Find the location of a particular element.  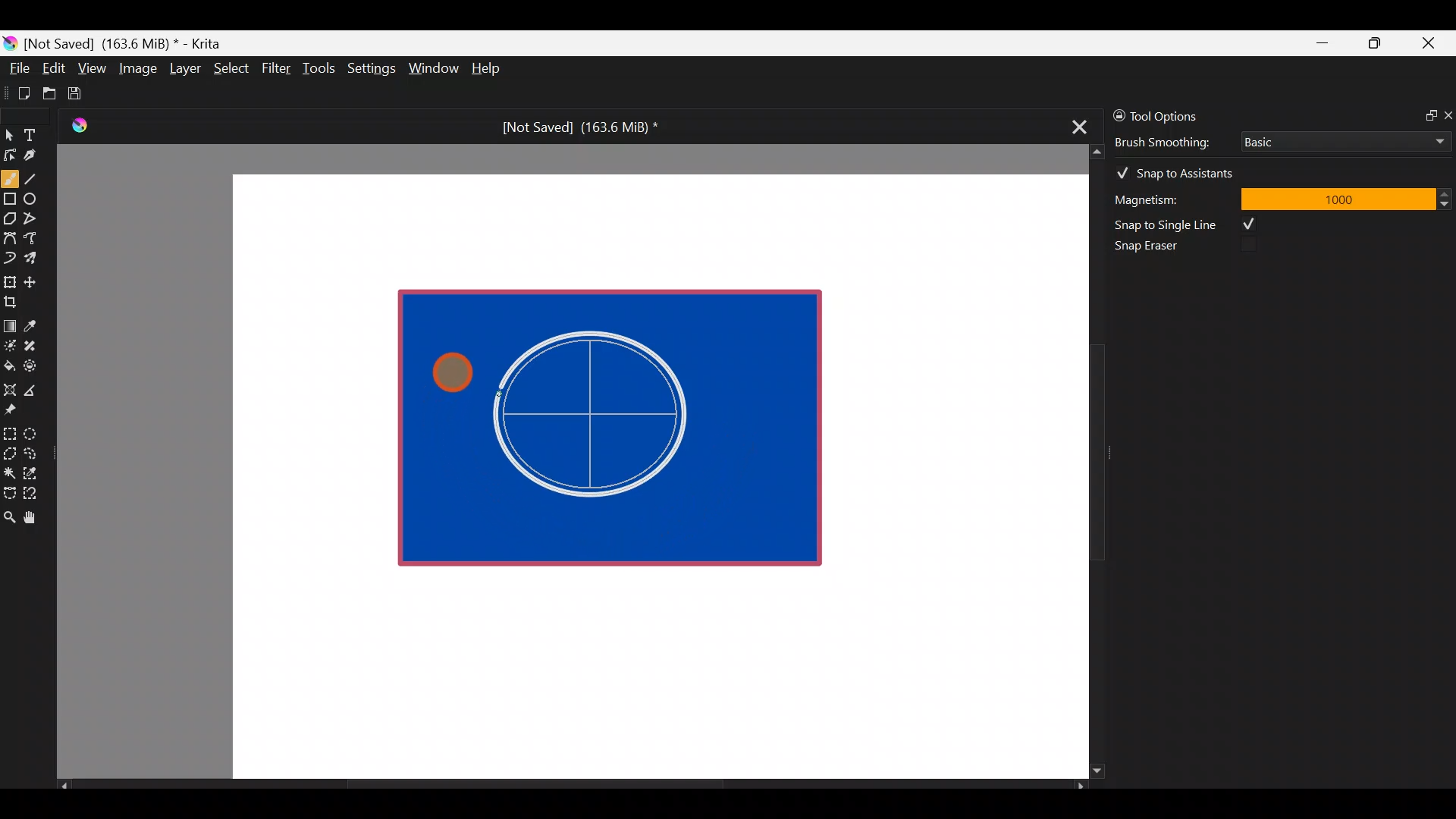

Snap to assistants is located at coordinates (1182, 170).